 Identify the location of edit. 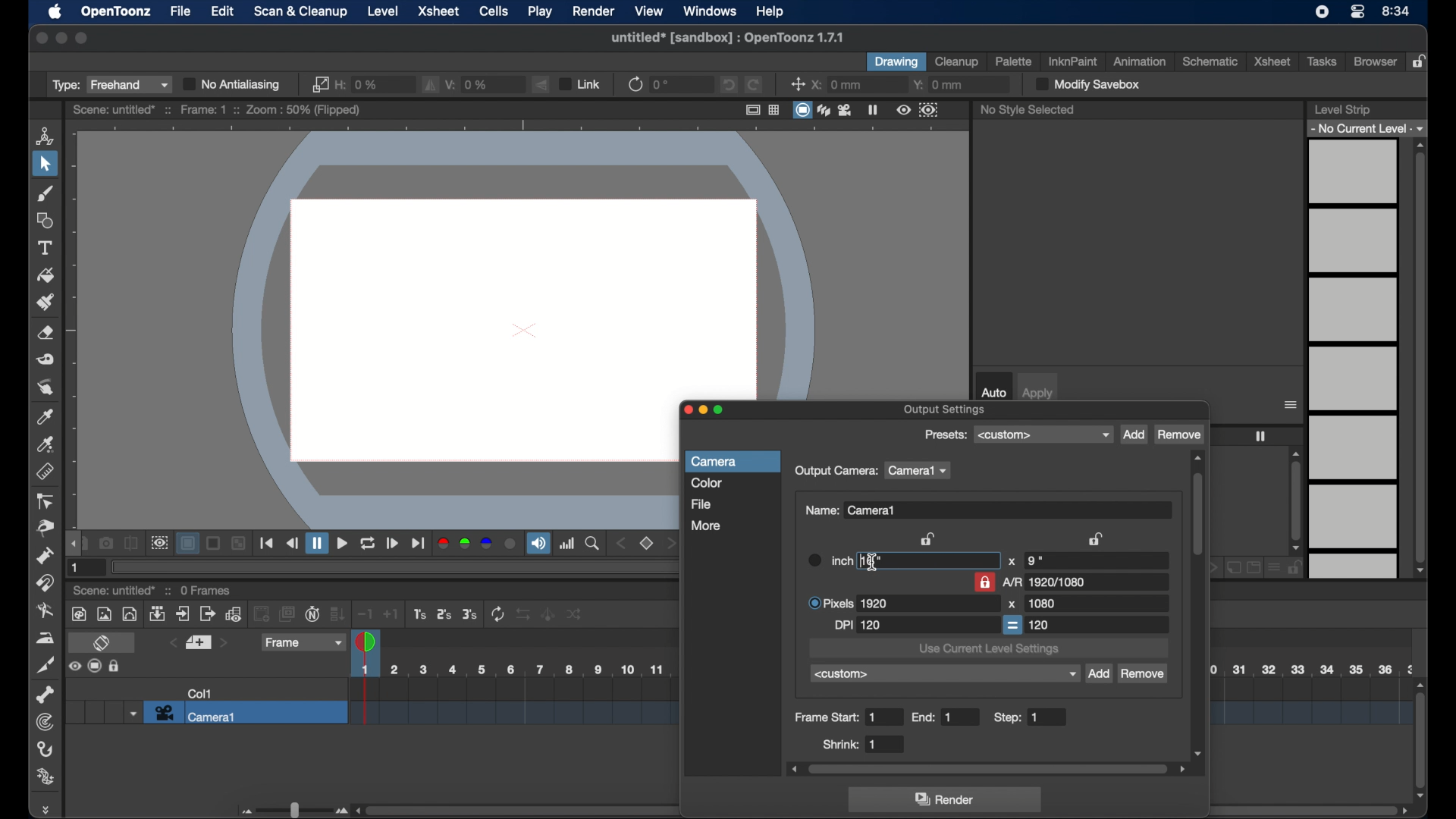
(223, 12).